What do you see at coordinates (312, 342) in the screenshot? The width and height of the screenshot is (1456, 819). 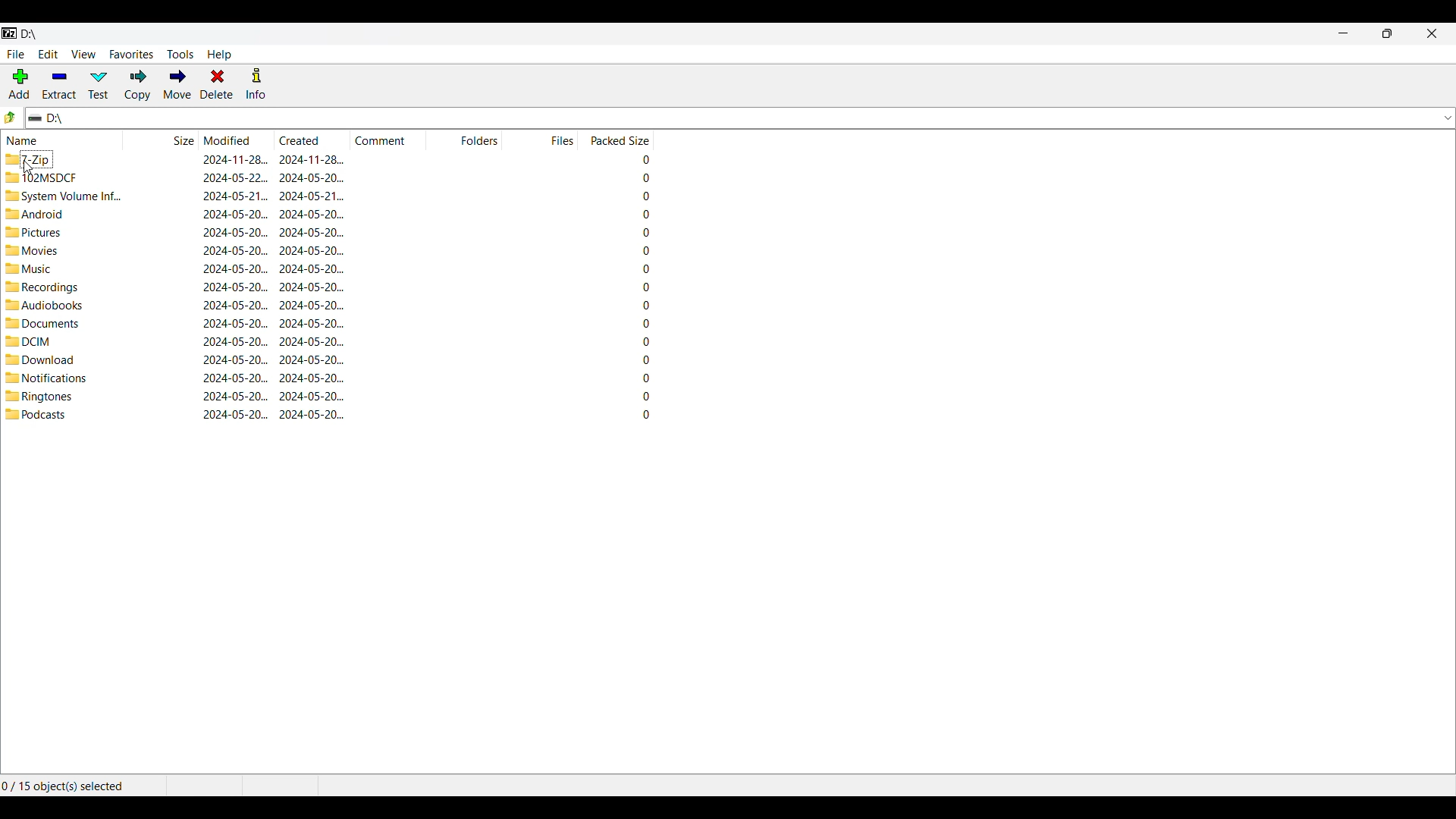 I see `created date & time` at bounding box center [312, 342].